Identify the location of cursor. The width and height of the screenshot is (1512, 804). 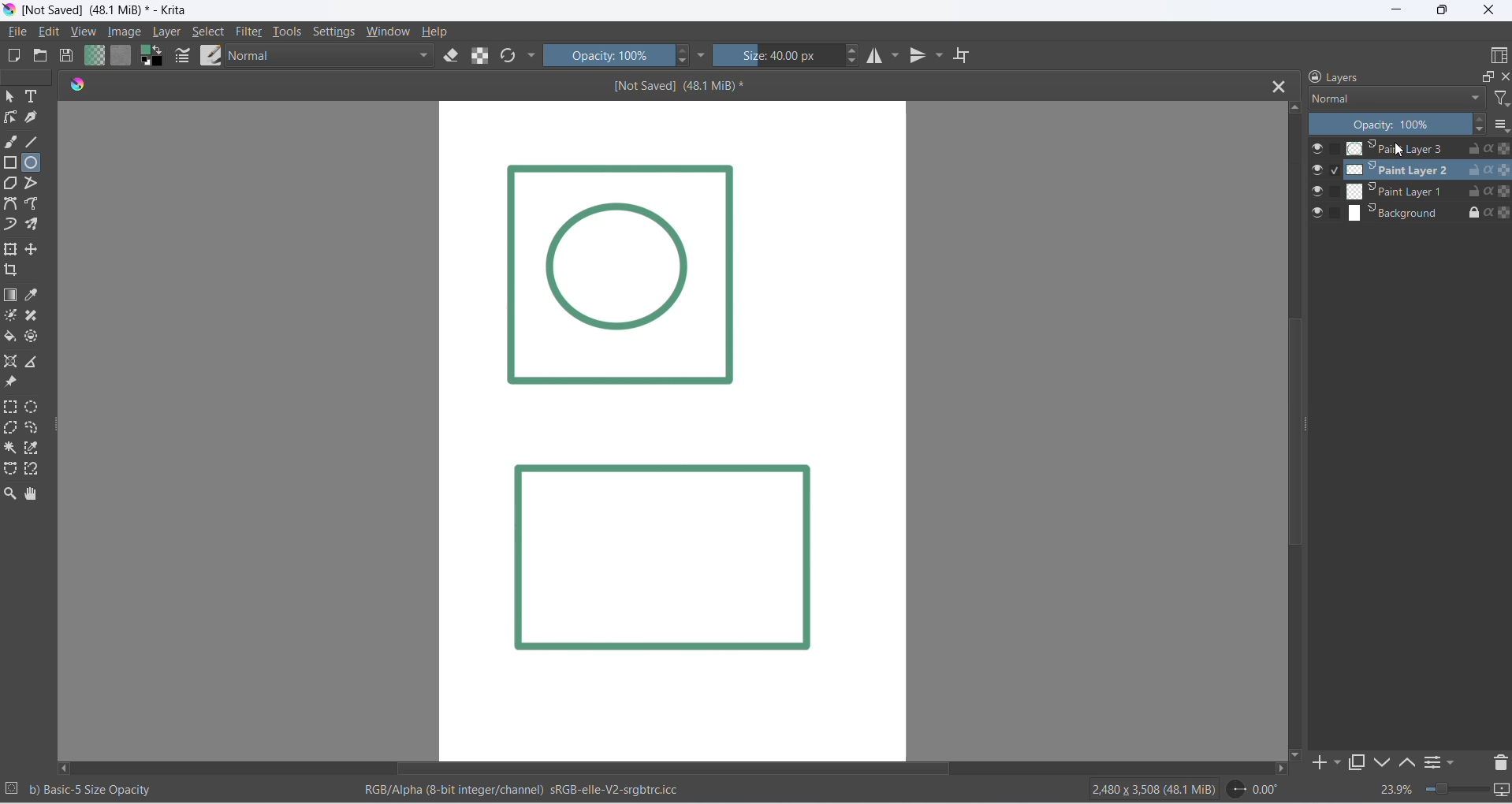
(1398, 151).